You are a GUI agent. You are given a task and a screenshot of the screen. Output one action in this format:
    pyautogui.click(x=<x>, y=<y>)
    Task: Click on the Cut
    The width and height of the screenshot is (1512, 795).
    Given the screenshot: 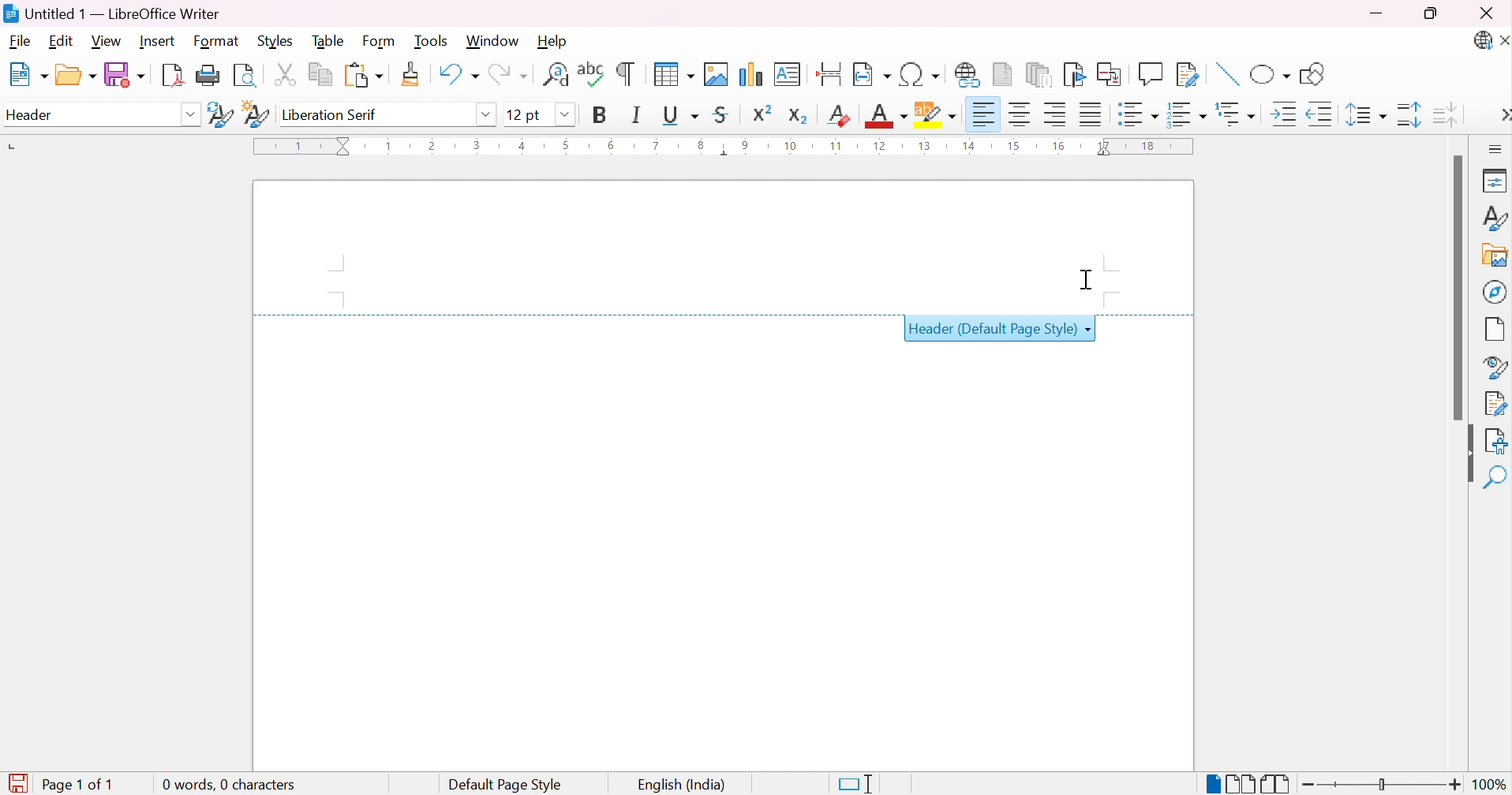 What is the action you would take?
    pyautogui.click(x=287, y=73)
    